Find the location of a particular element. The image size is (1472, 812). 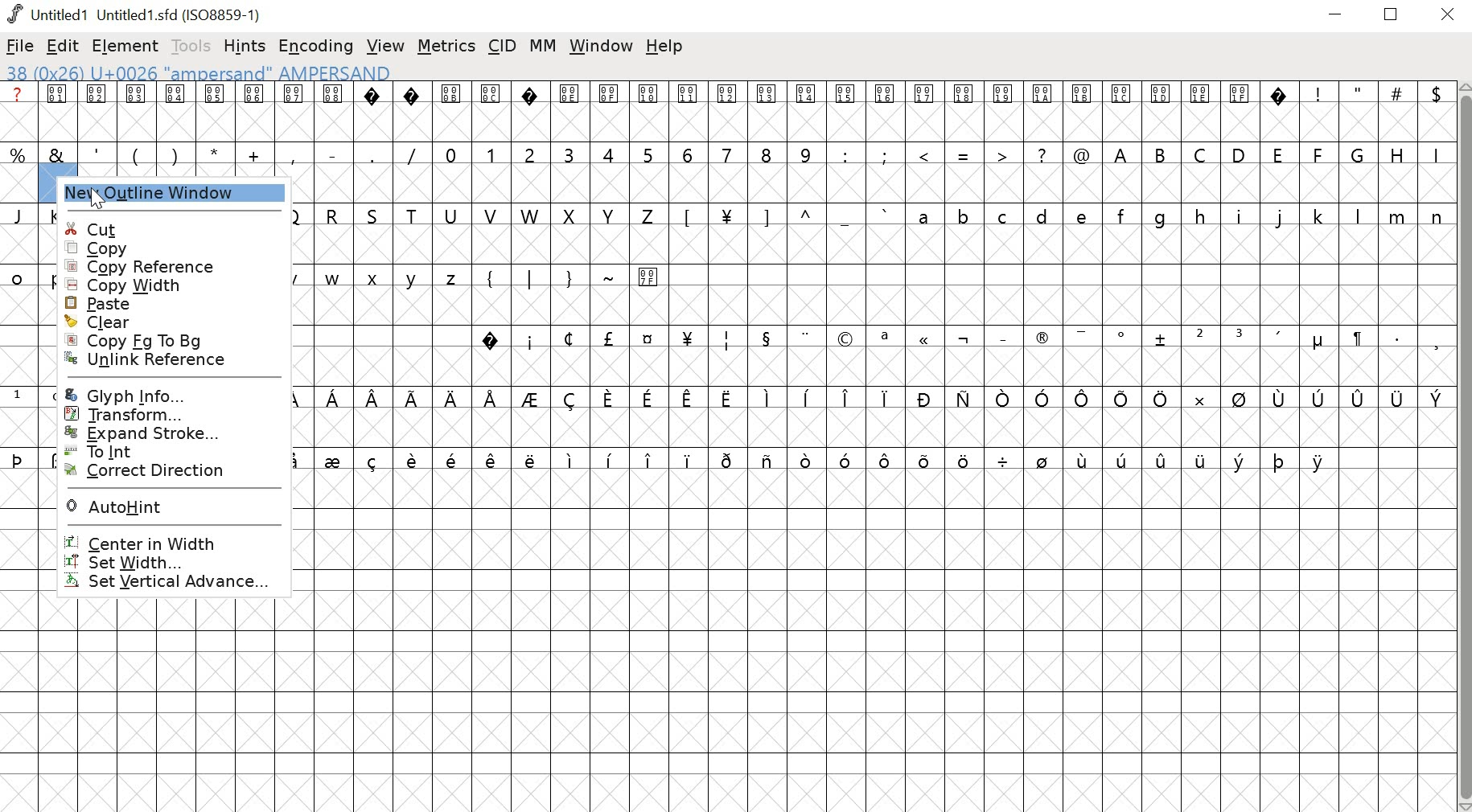

symbol is located at coordinates (612, 339).